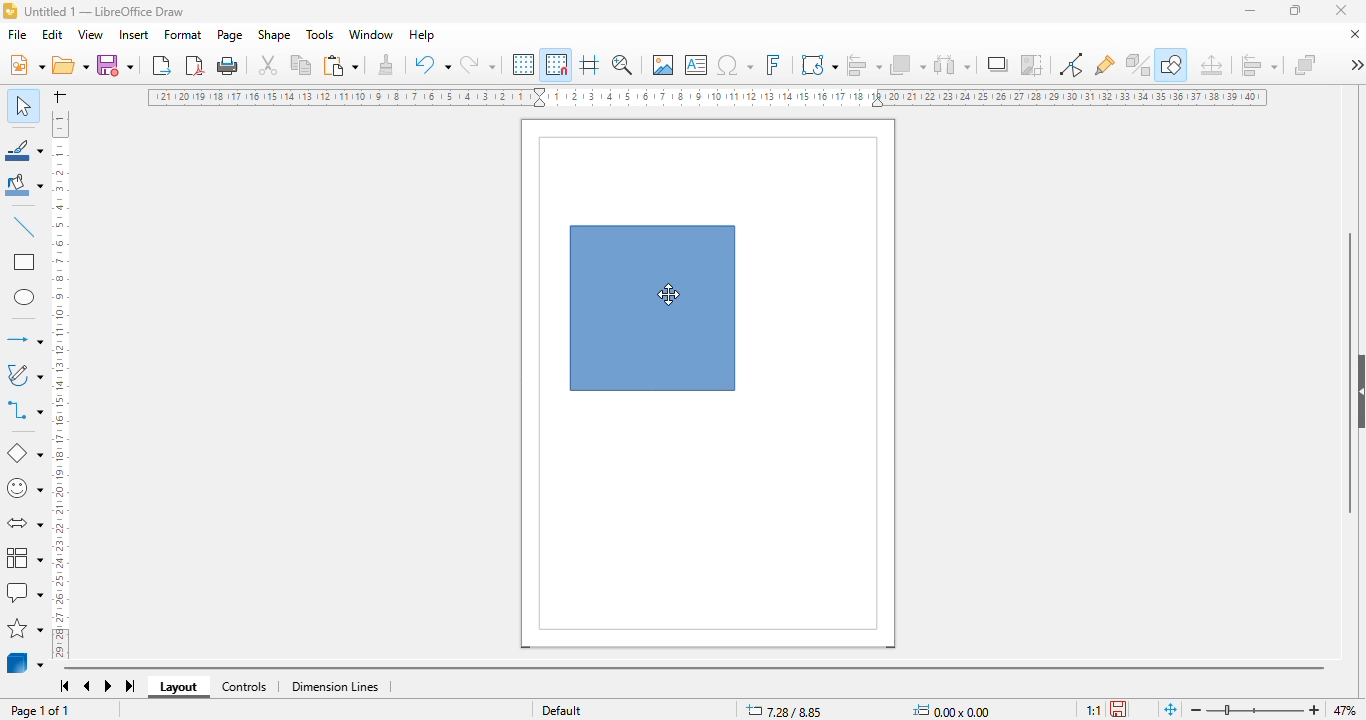  I want to click on insert text box, so click(697, 65).